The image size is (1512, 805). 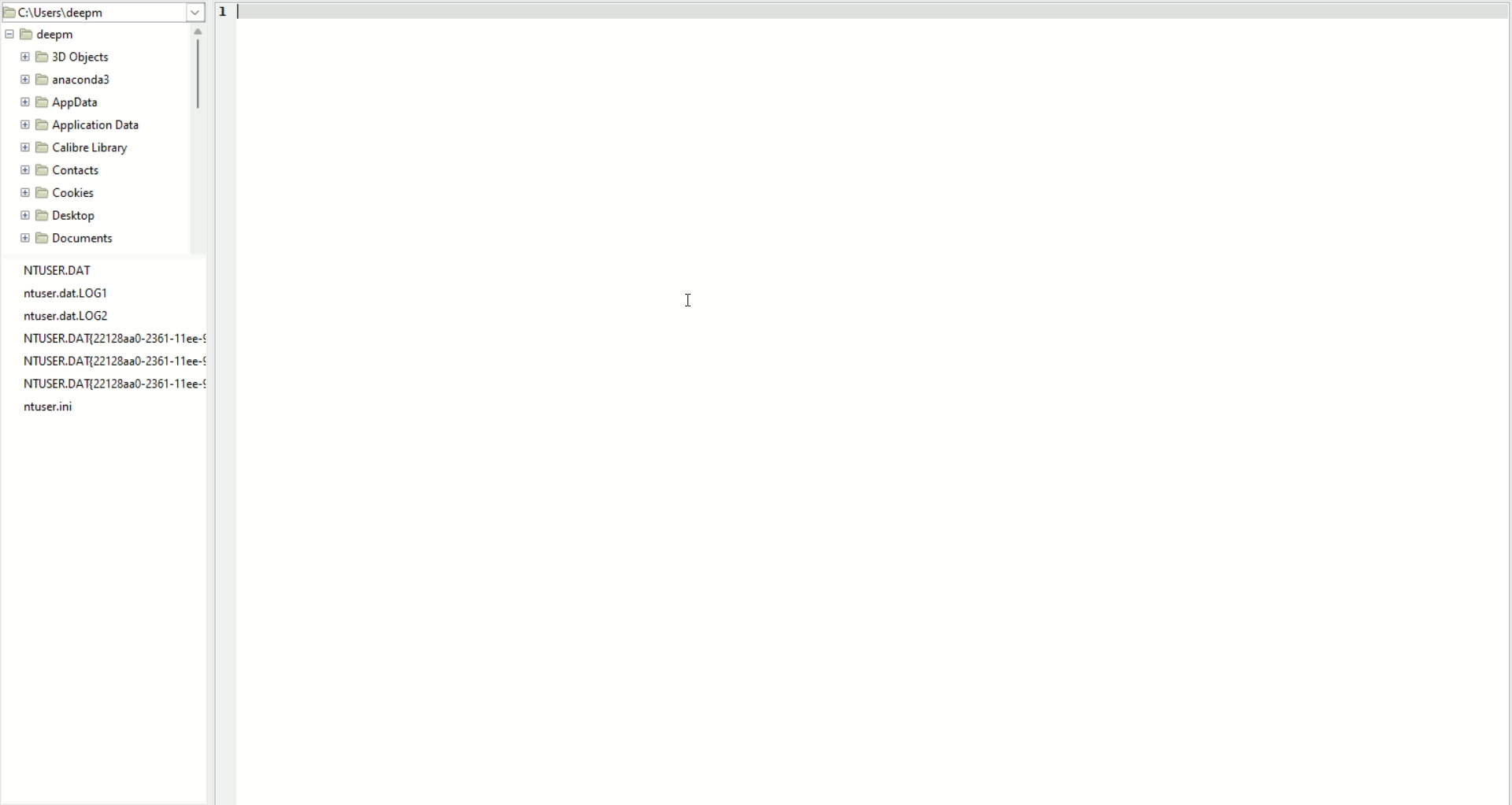 What do you see at coordinates (50, 407) in the screenshot?
I see `file name` at bounding box center [50, 407].